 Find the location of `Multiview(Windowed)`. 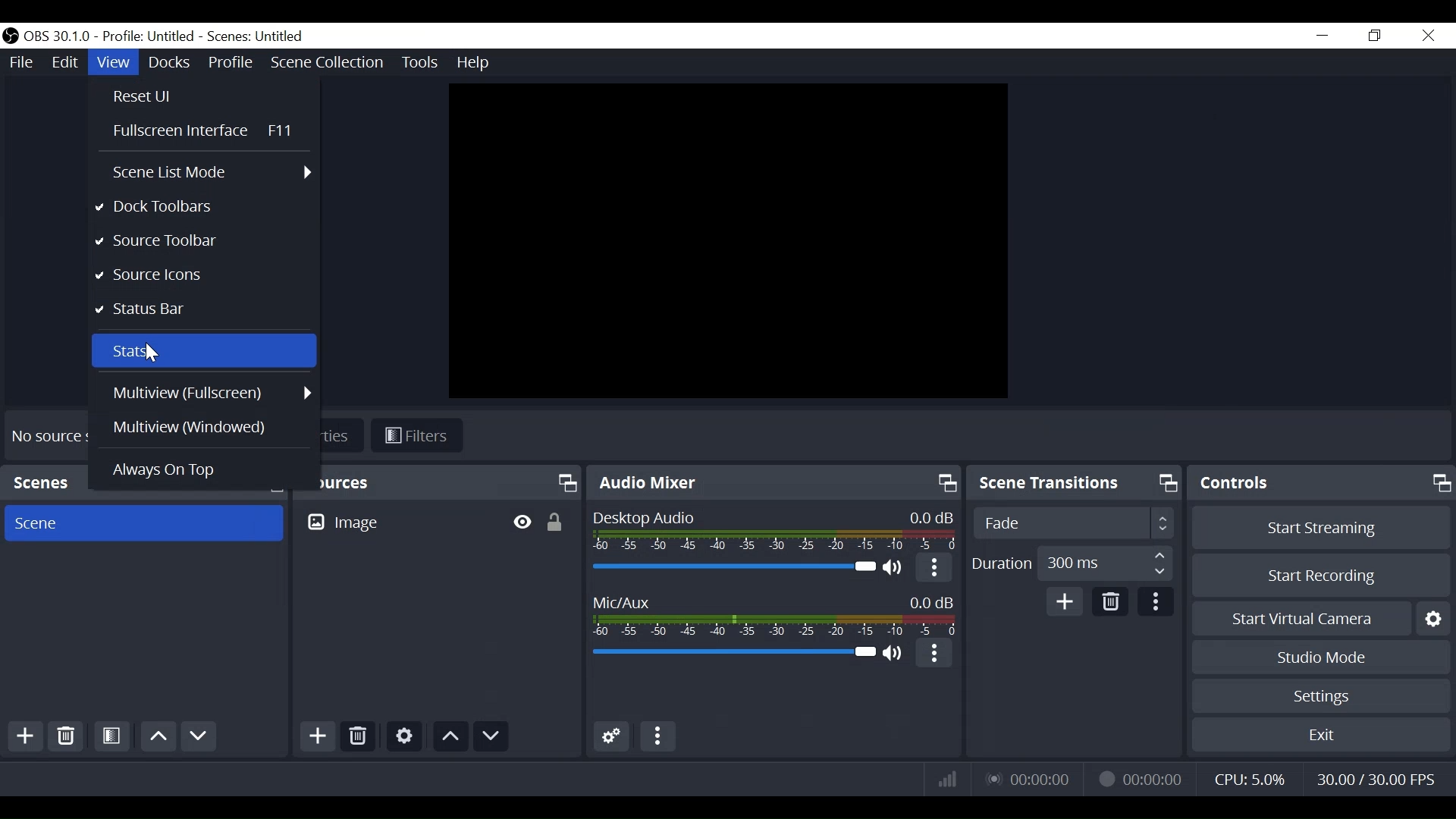

Multiview(Windowed) is located at coordinates (212, 426).